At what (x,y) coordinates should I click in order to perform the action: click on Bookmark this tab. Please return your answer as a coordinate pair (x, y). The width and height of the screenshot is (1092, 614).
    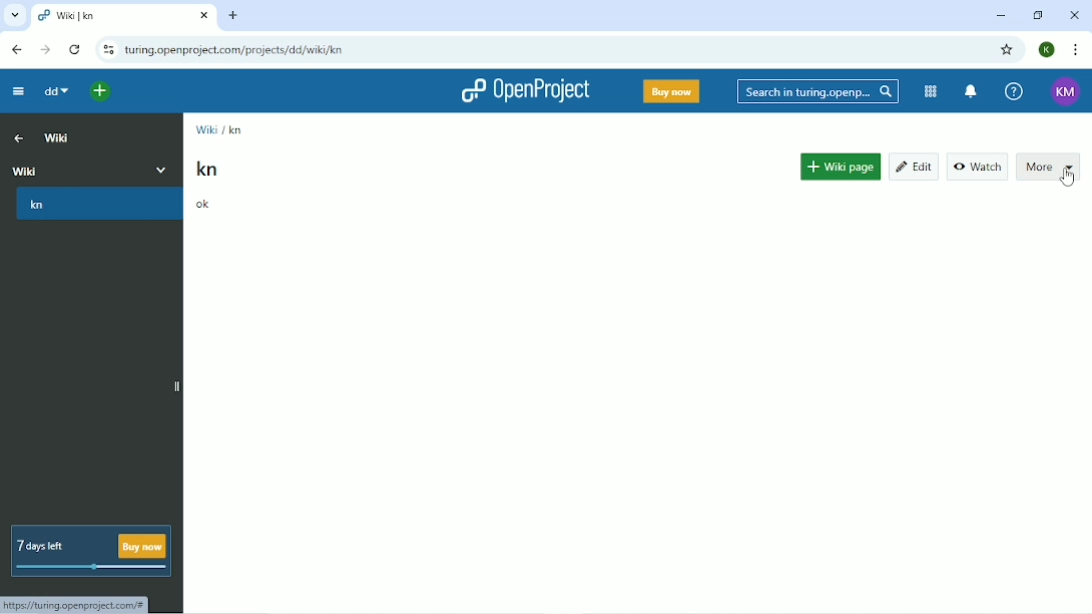
    Looking at the image, I should click on (1007, 50).